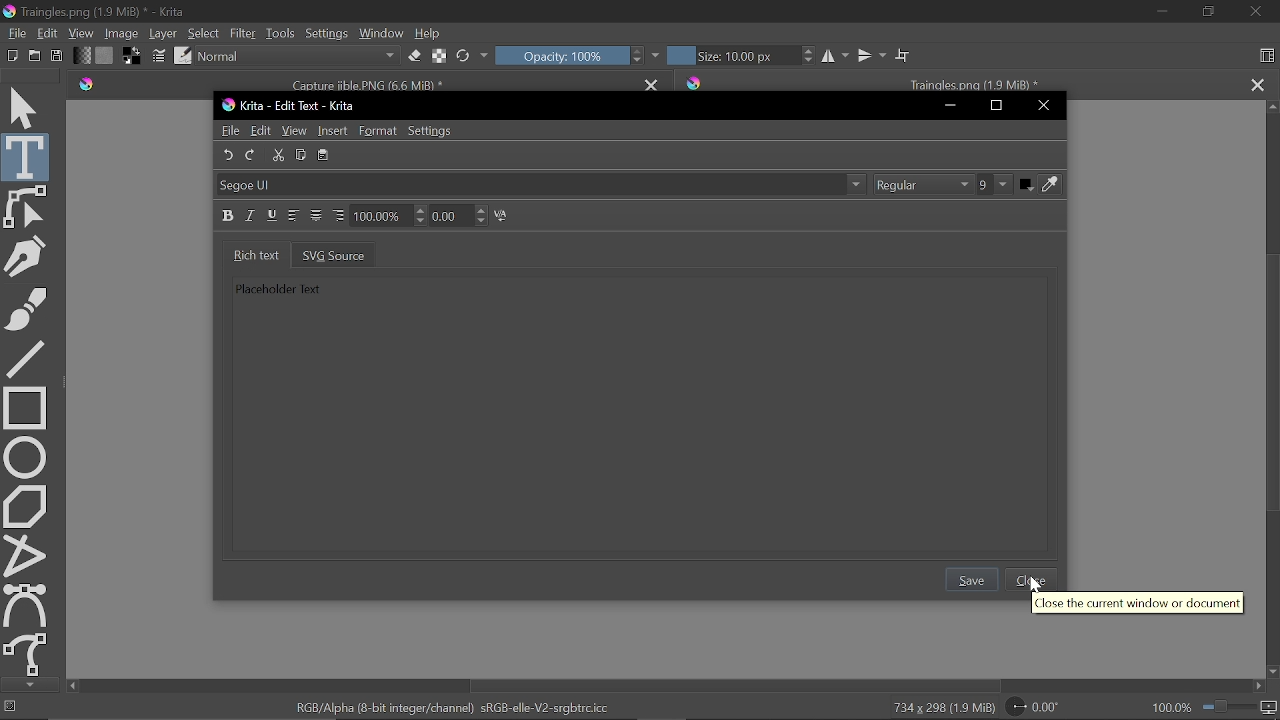  Describe the element at coordinates (460, 216) in the screenshot. I see `Letter spacing` at that location.